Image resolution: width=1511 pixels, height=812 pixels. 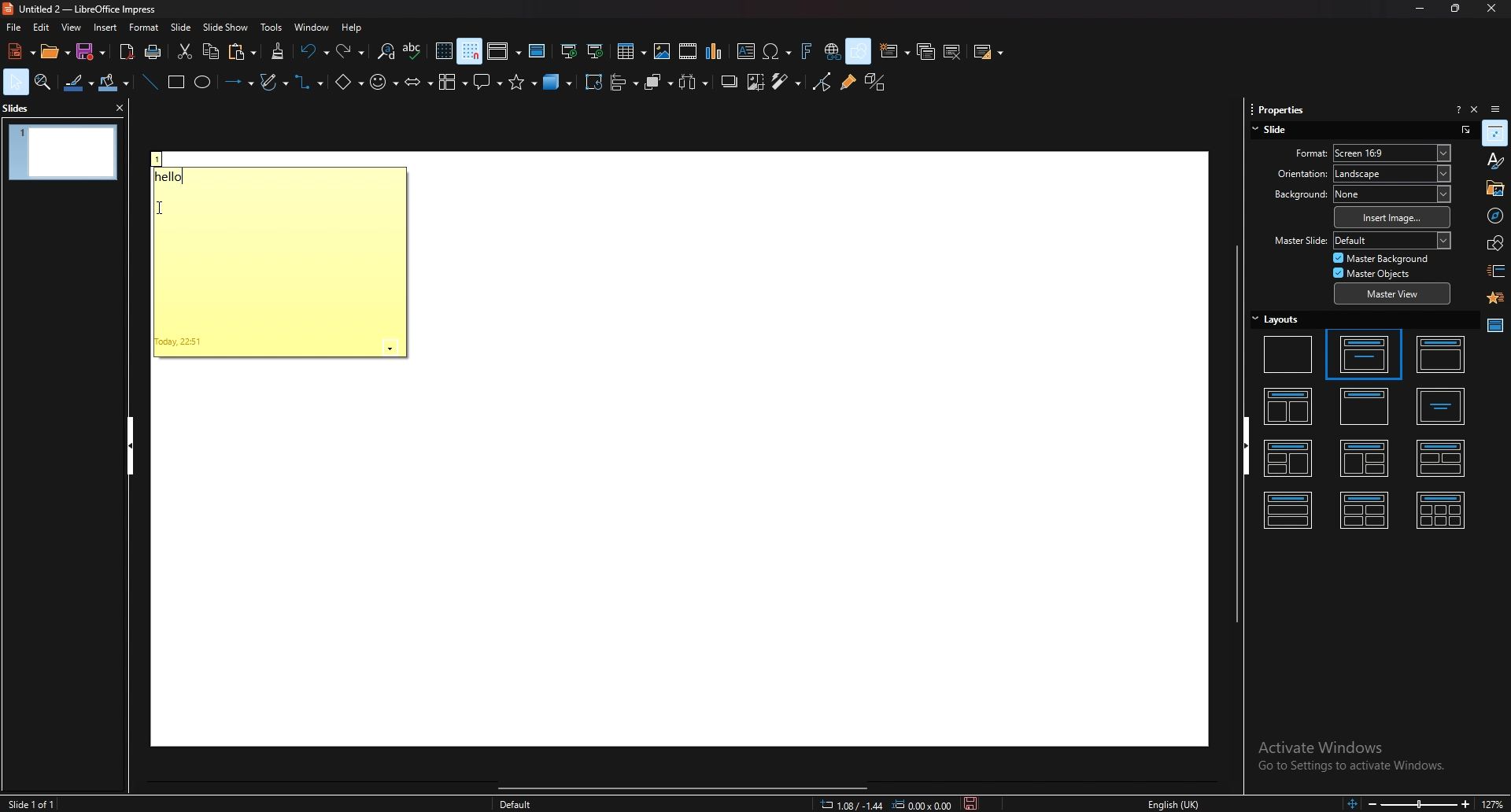 What do you see at coordinates (757, 83) in the screenshot?
I see `crop image` at bounding box center [757, 83].